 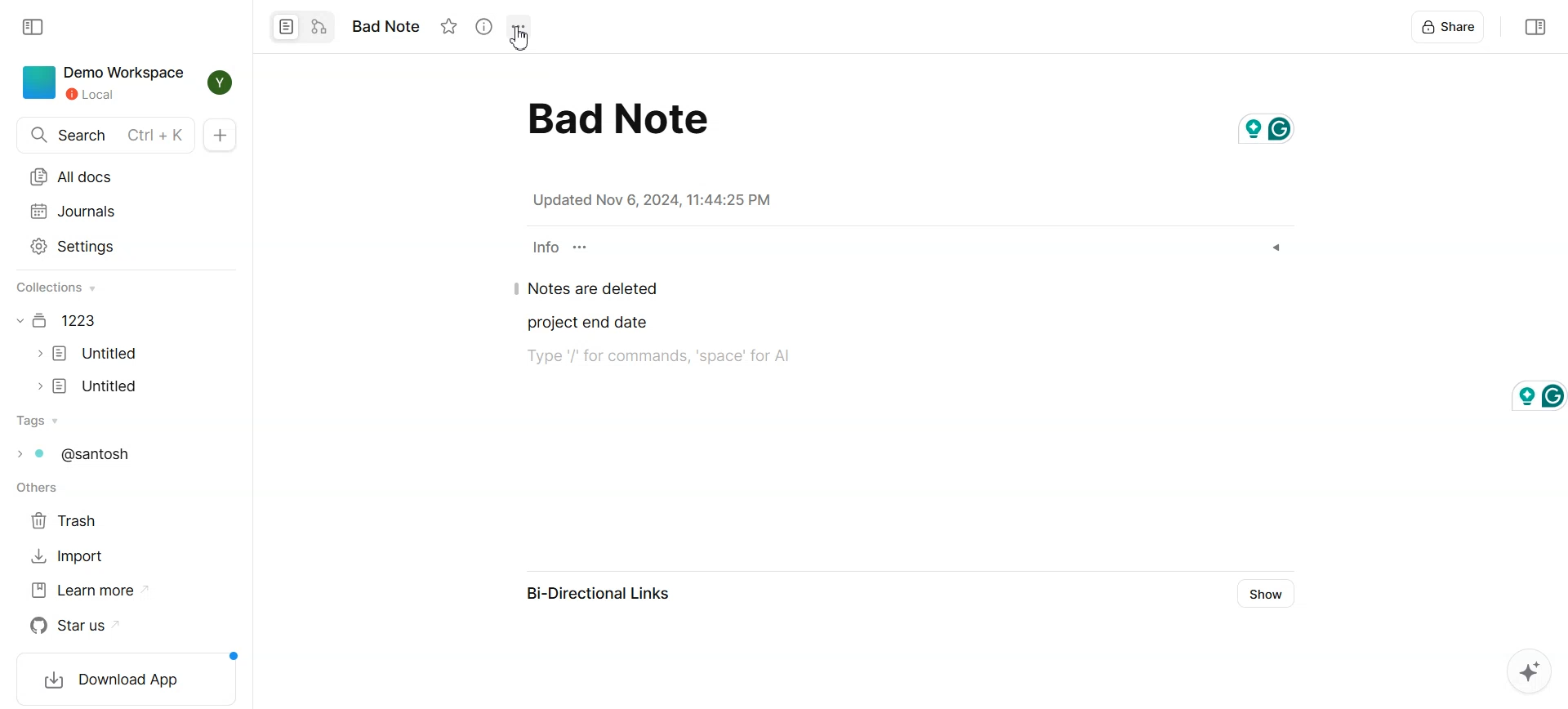 I want to click on Collapse sidebar, so click(x=1533, y=28).